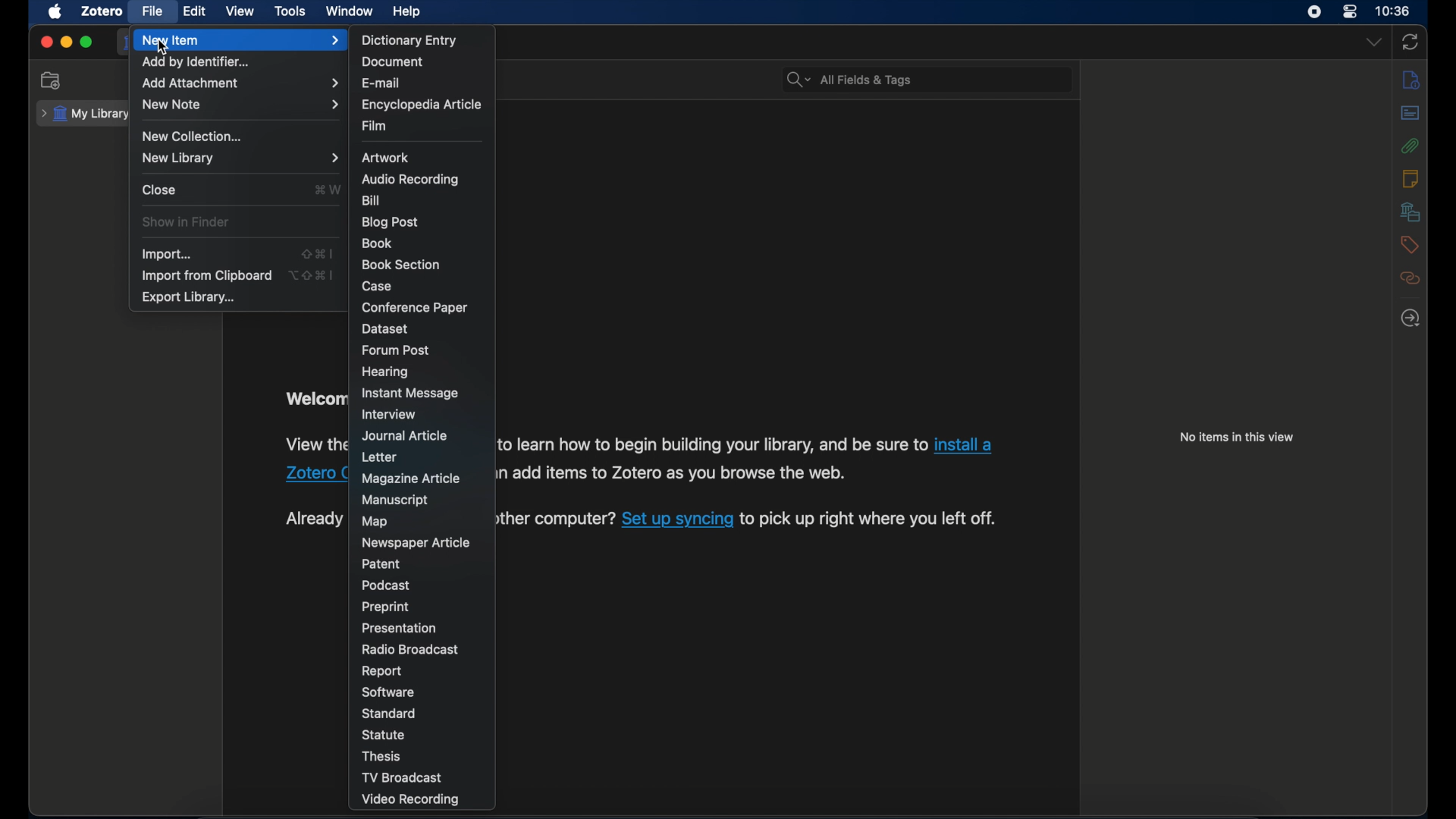  Describe the element at coordinates (411, 179) in the screenshot. I see `audio recording` at that location.